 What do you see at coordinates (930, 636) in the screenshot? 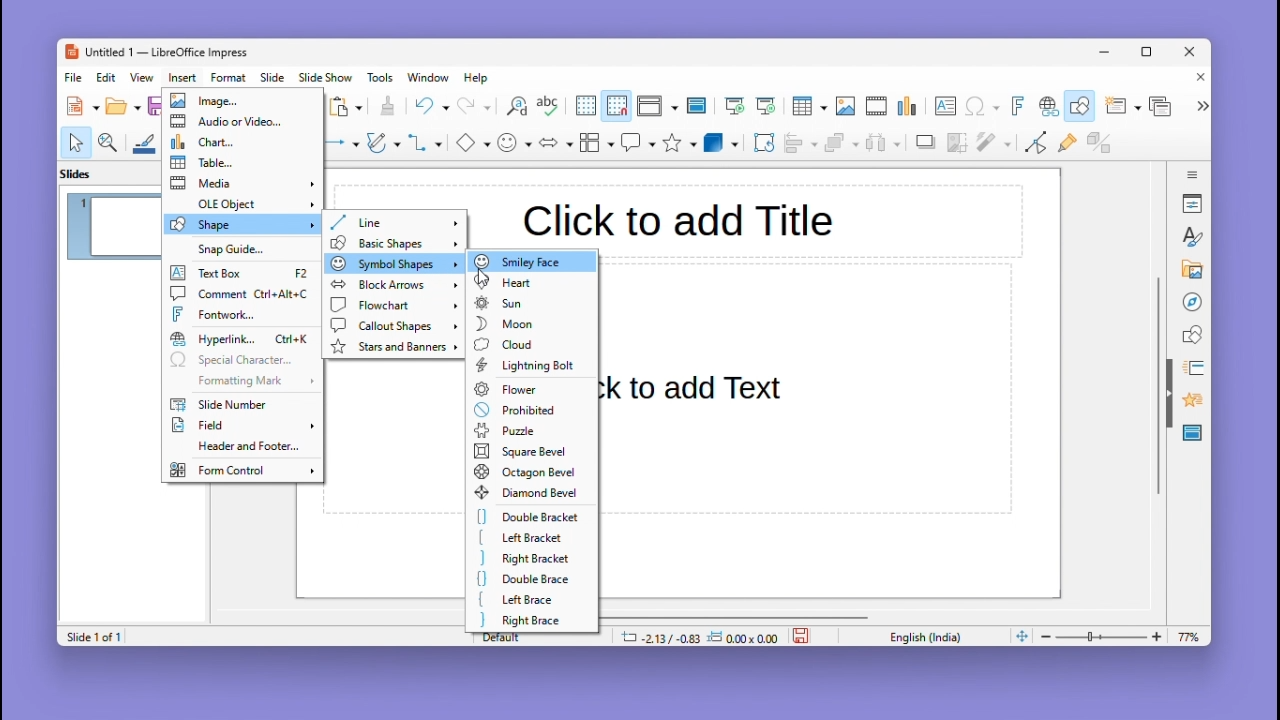
I see `English` at bounding box center [930, 636].